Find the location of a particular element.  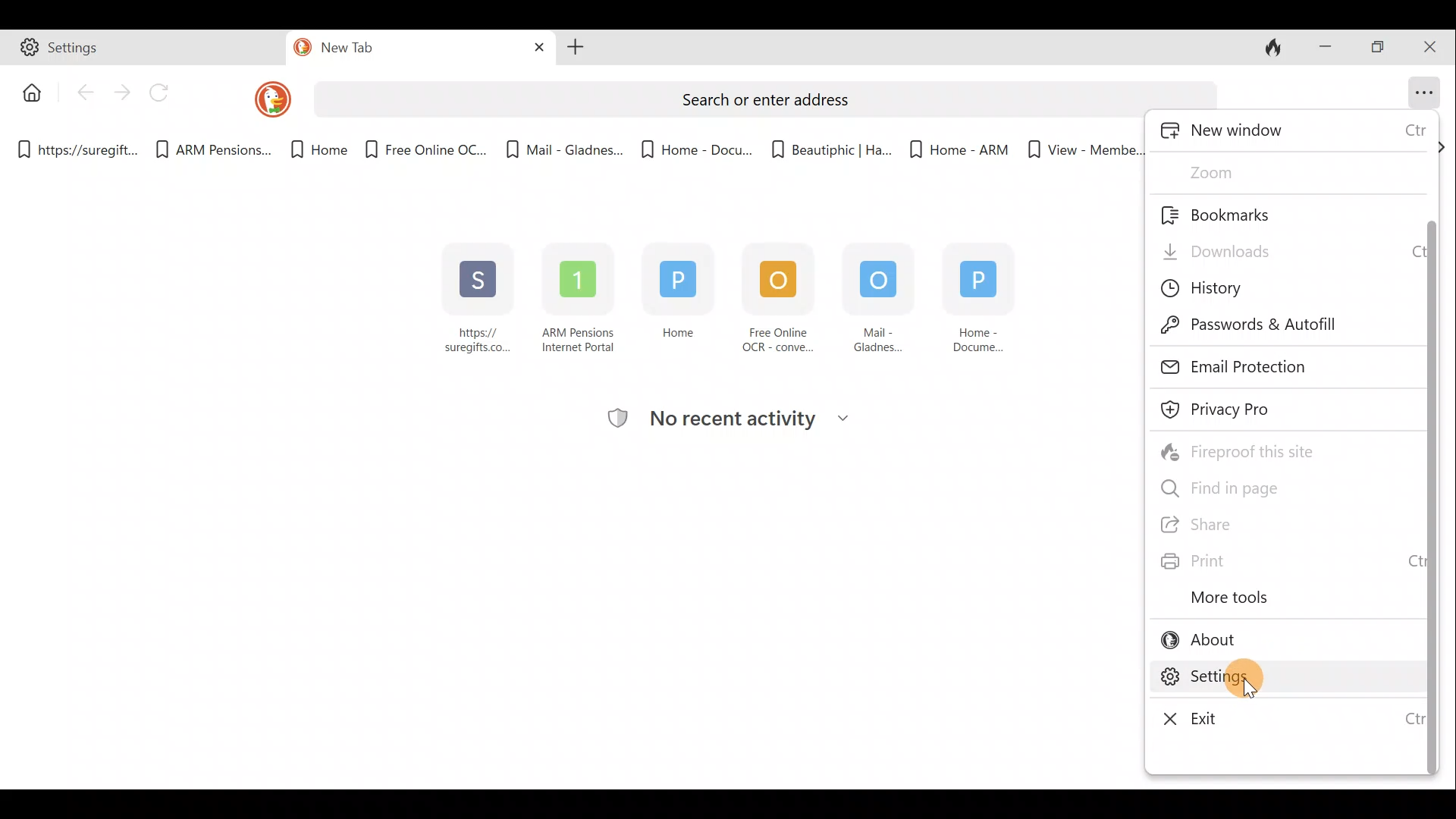

History is located at coordinates (1222, 288).